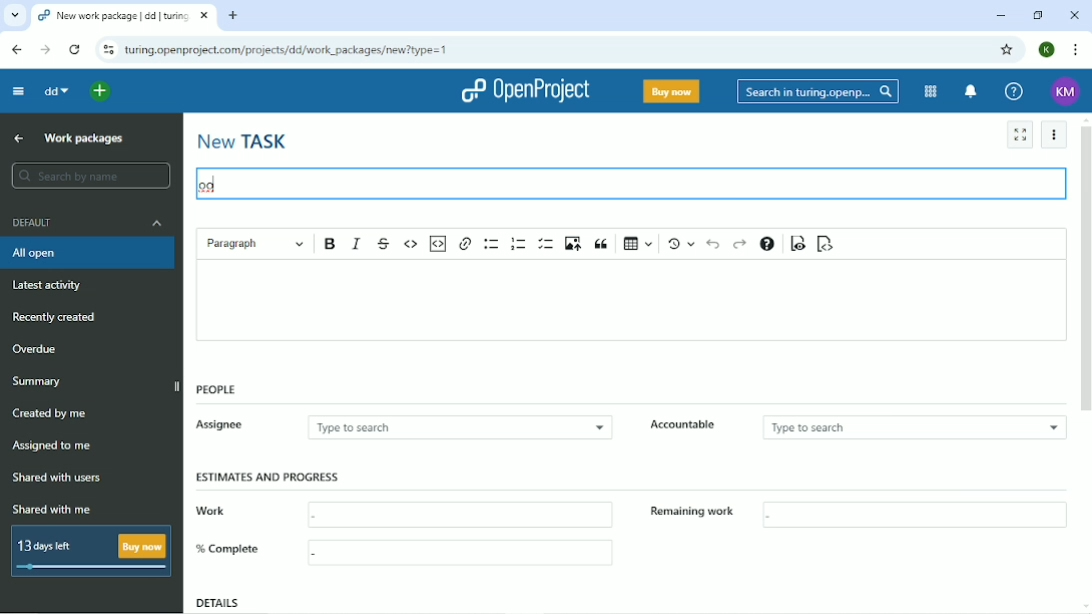 This screenshot has height=614, width=1092. What do you see at coordinates (330, 244) in the screenshot?
I see `Bold` at bounding box center [330, 244].